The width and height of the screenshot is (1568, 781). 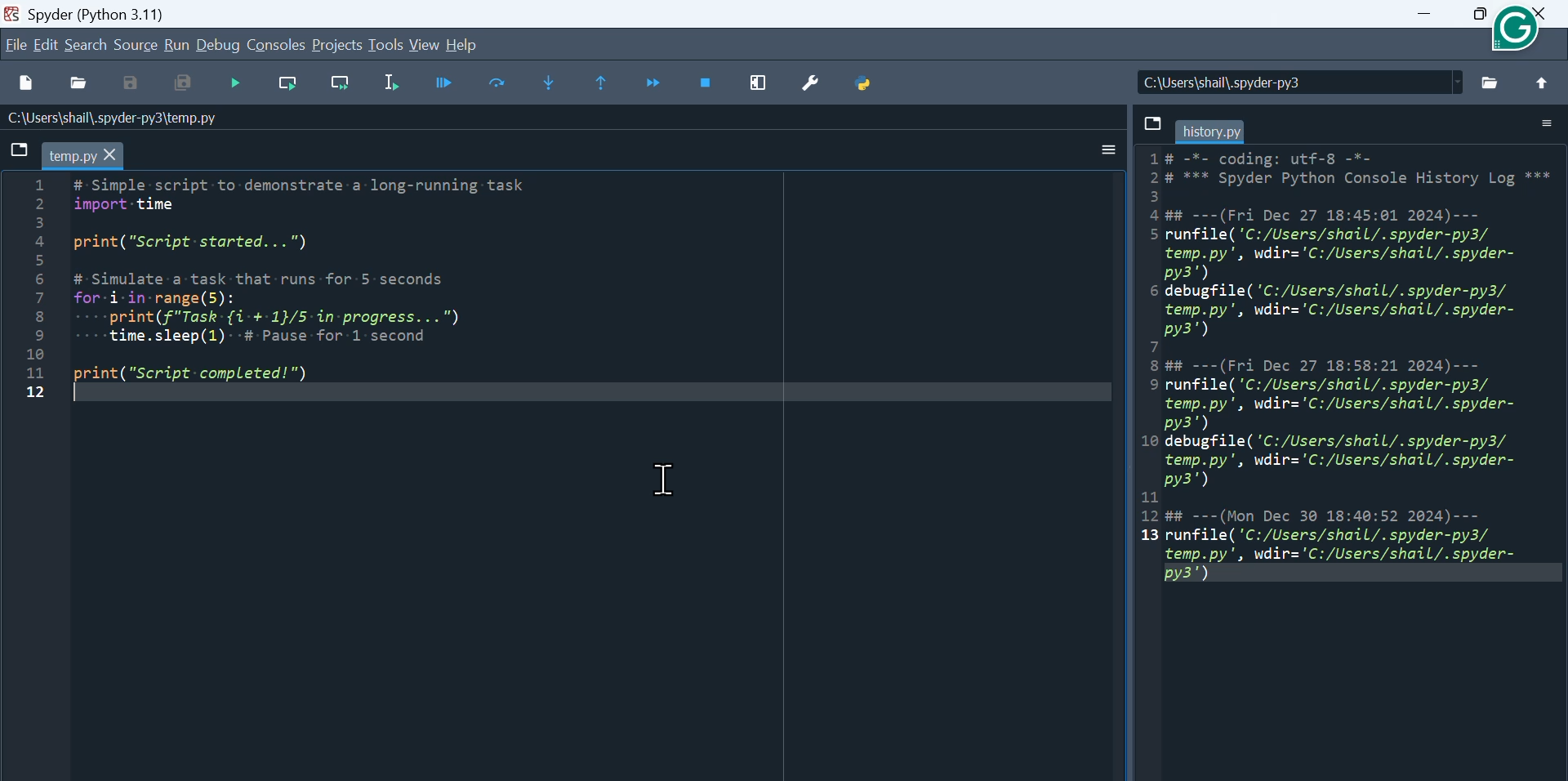 What do you see at coordinates (424, 42) in the screenshot?
I see `view` at bounding box center [424, 42].